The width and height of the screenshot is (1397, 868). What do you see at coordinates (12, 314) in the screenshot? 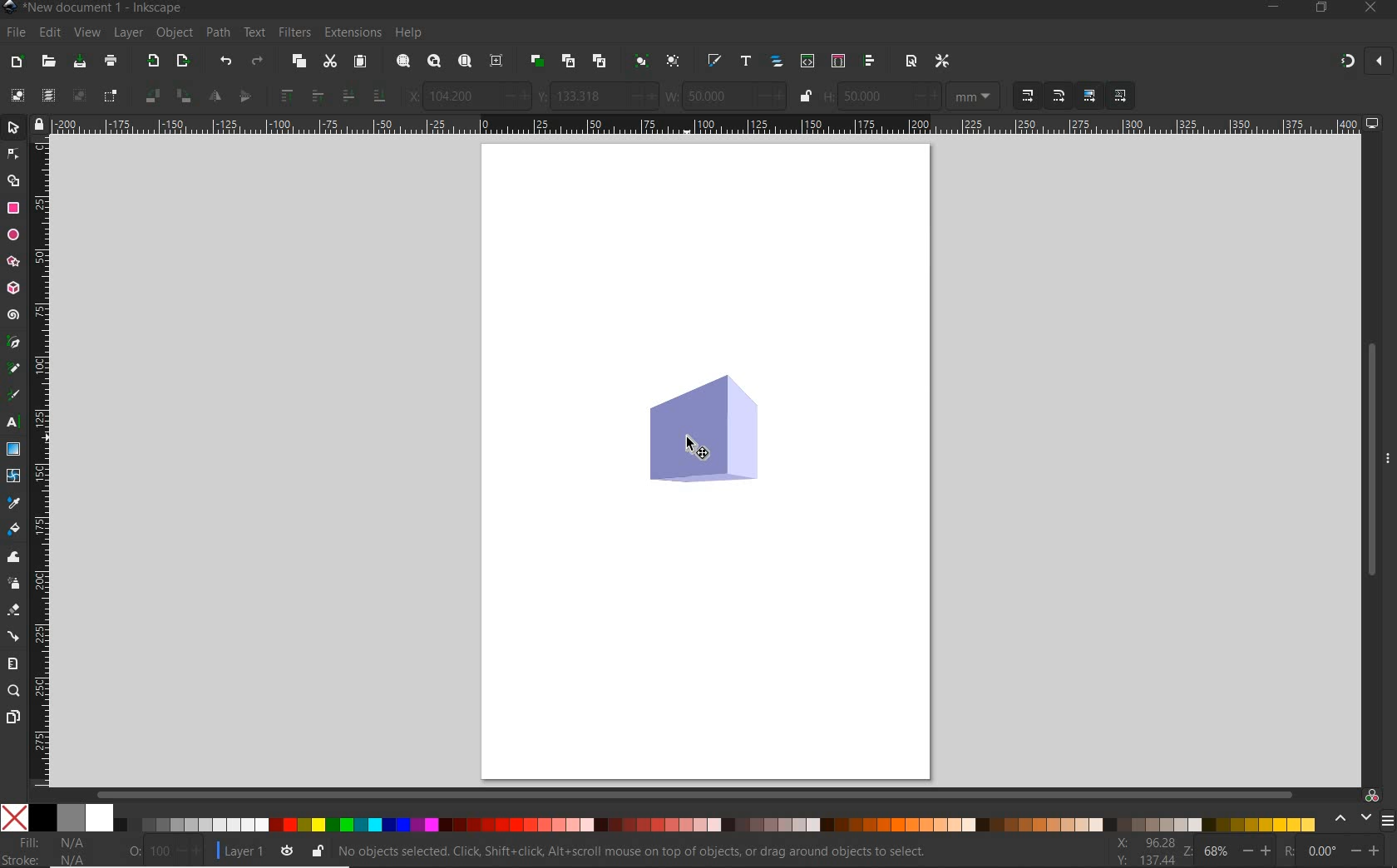
I see `spiral tool` at bounding box center [12, 314].